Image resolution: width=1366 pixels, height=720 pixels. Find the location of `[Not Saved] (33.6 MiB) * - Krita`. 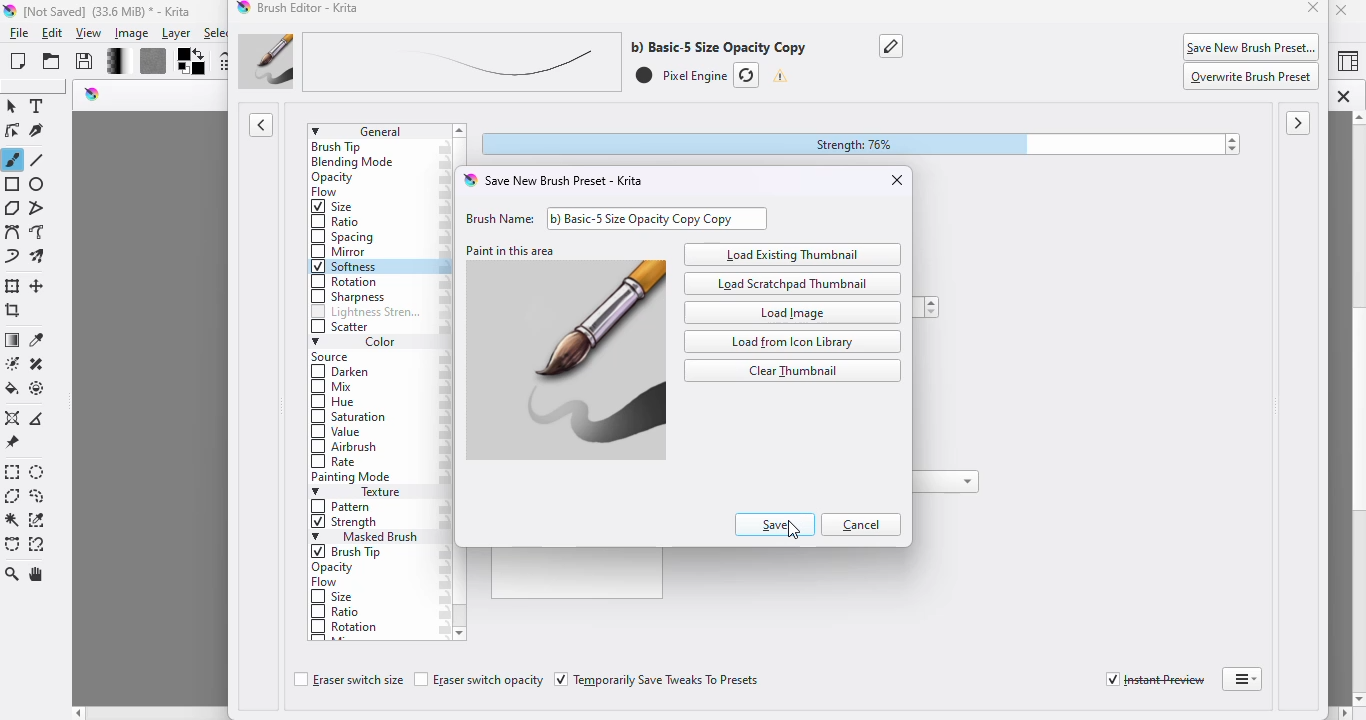

[Not Saved] (33.6 MiB) * - Krita is located at coordinates (117, 11).